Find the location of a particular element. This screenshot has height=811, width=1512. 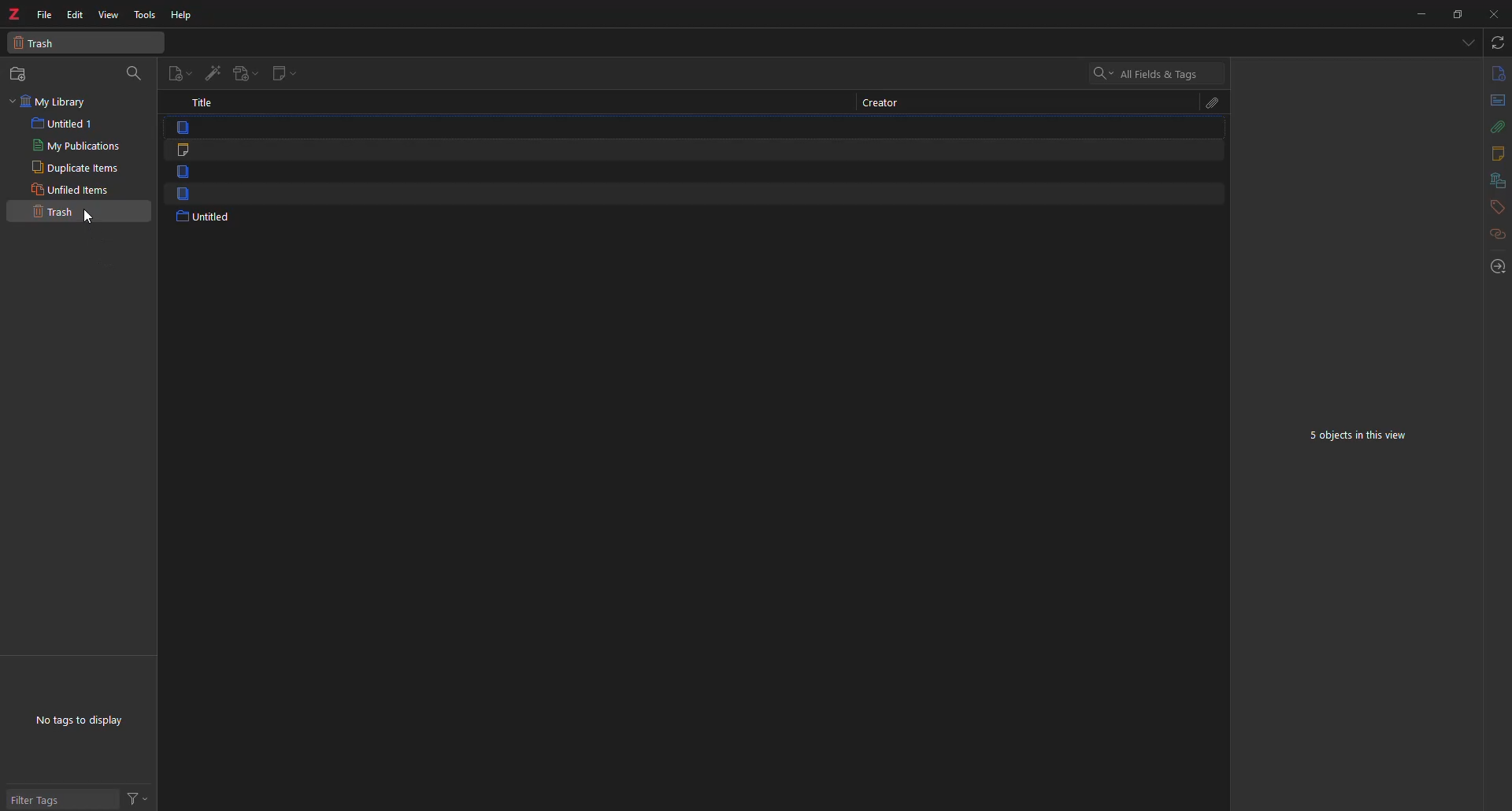

tabs is located at coordinates (1470, 42).